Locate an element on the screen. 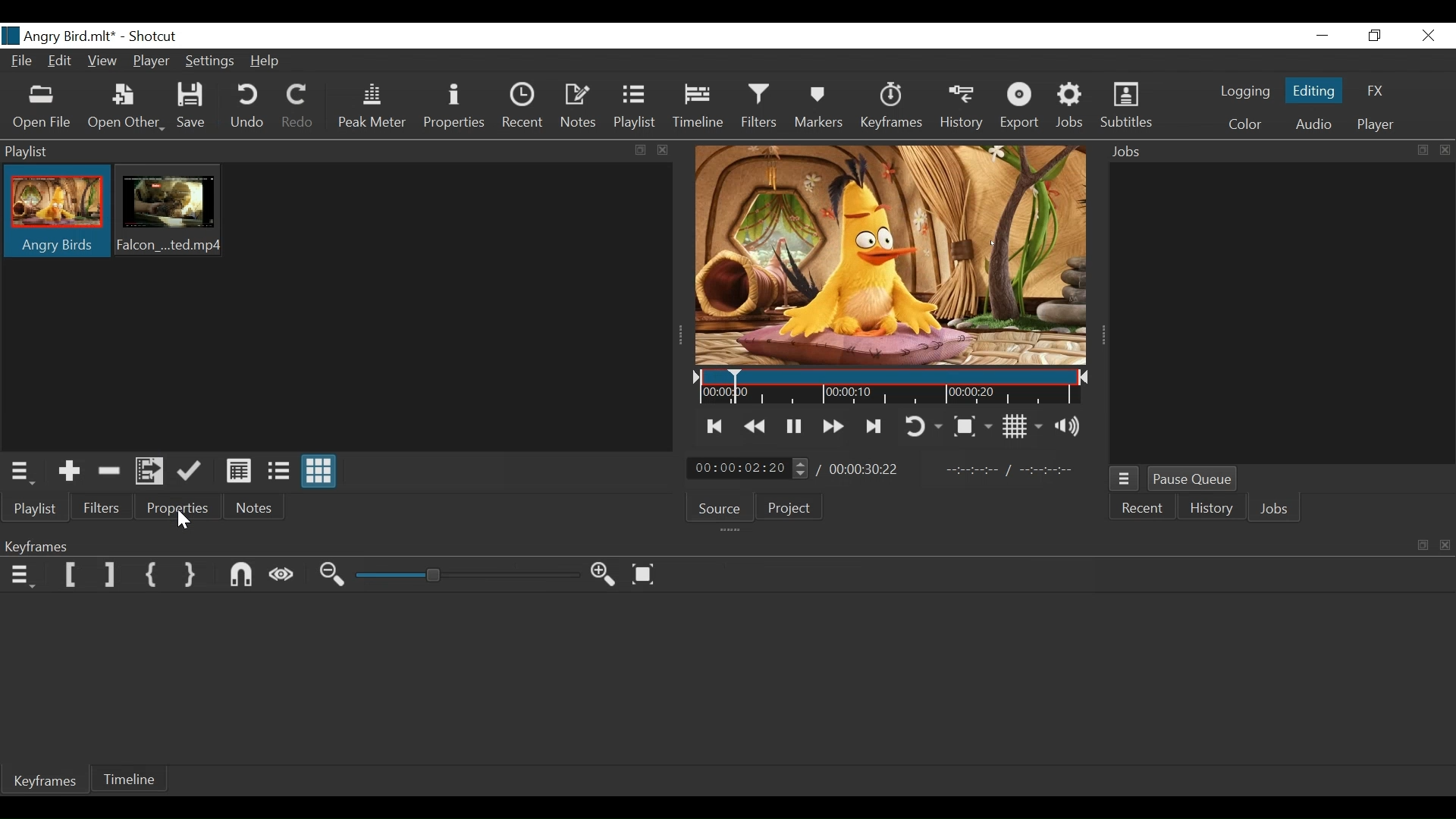 This screenshot has height=819, width=1456. Media Viewer is located at coordinates (890, 254).